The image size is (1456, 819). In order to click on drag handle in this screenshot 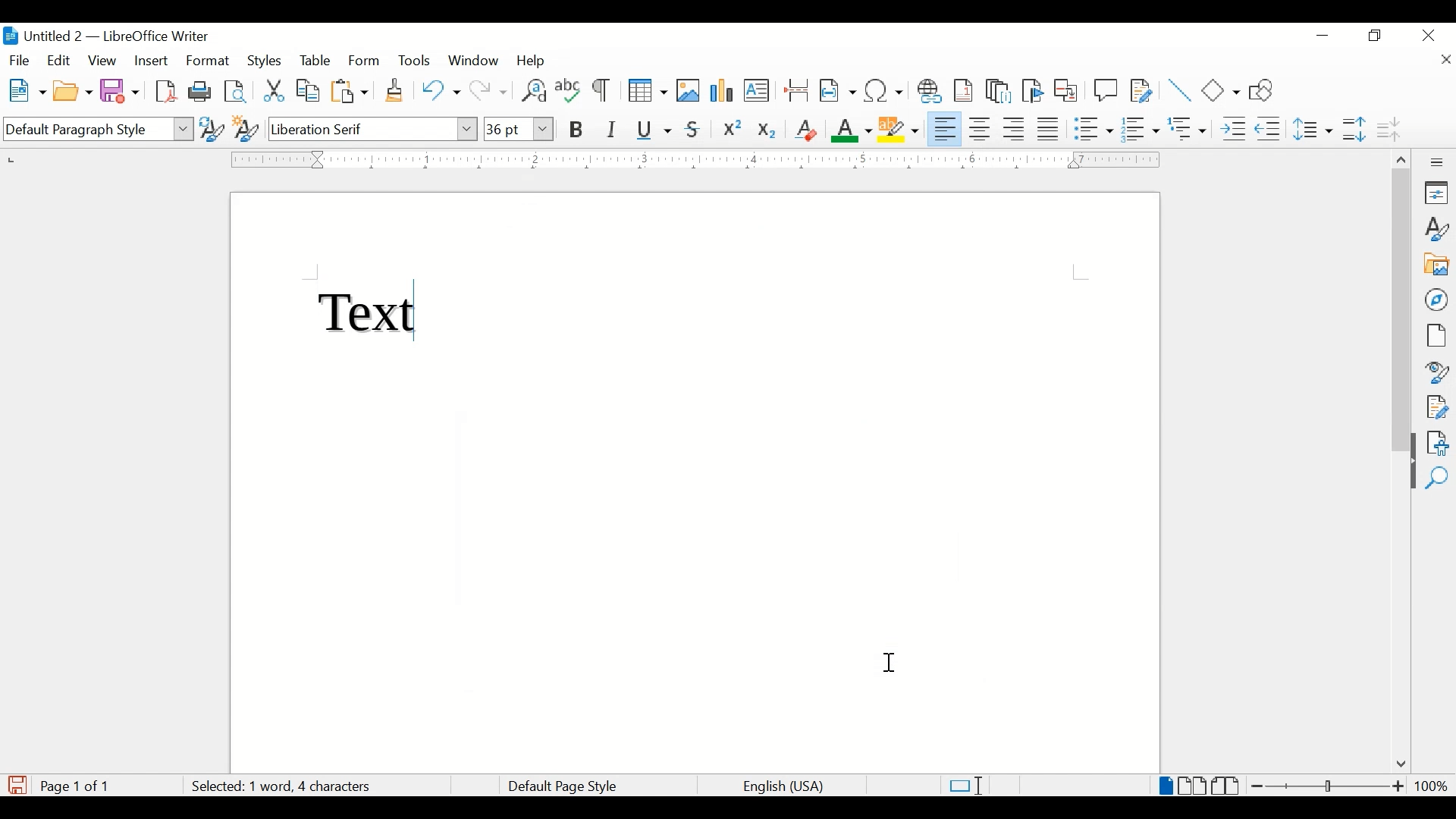, I will do `click(1407, 475)`.